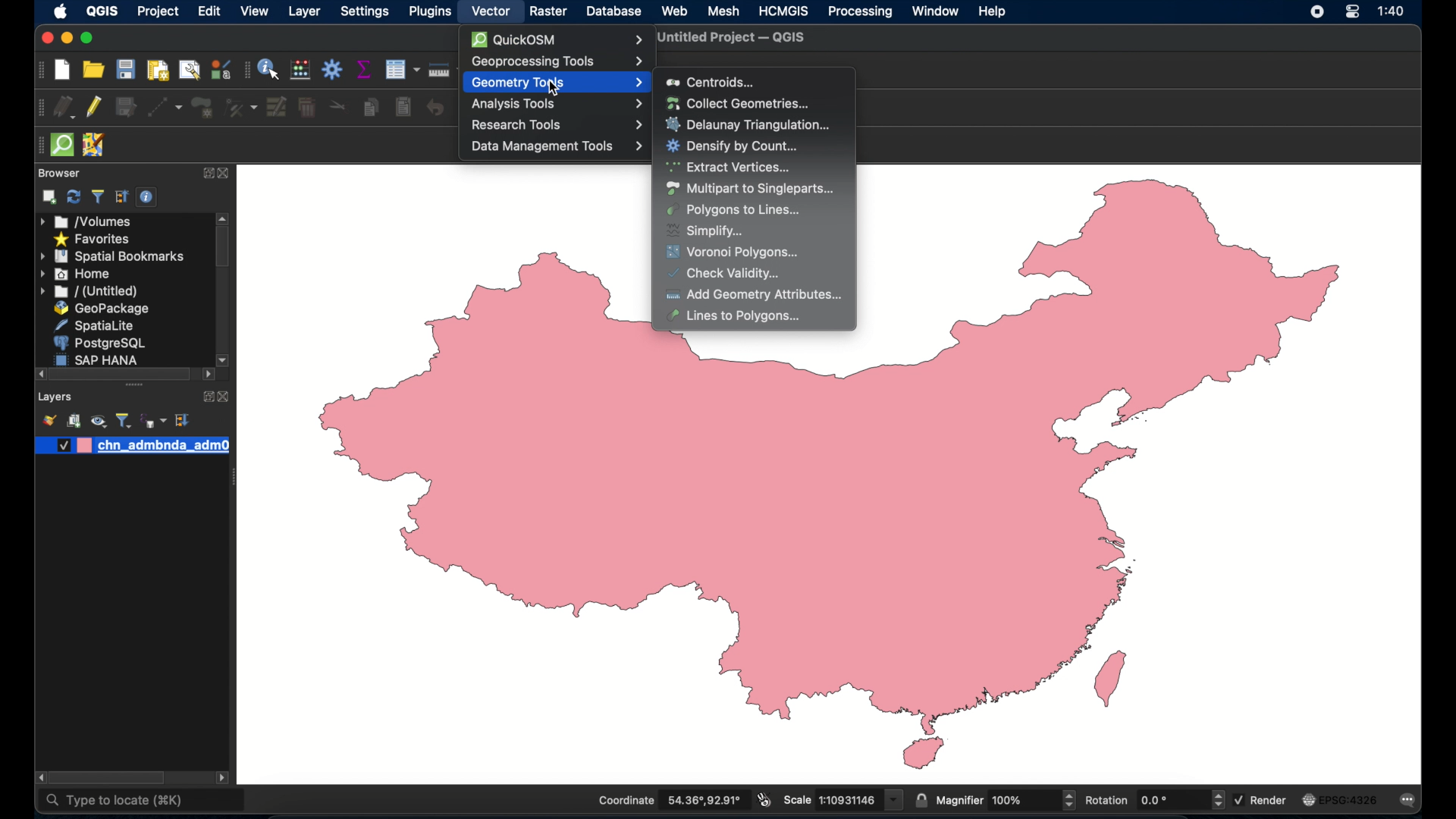  What do you see at coordinates (1262, 800) in the screenshot?
I see `render` at bounding box center [1262, 800].